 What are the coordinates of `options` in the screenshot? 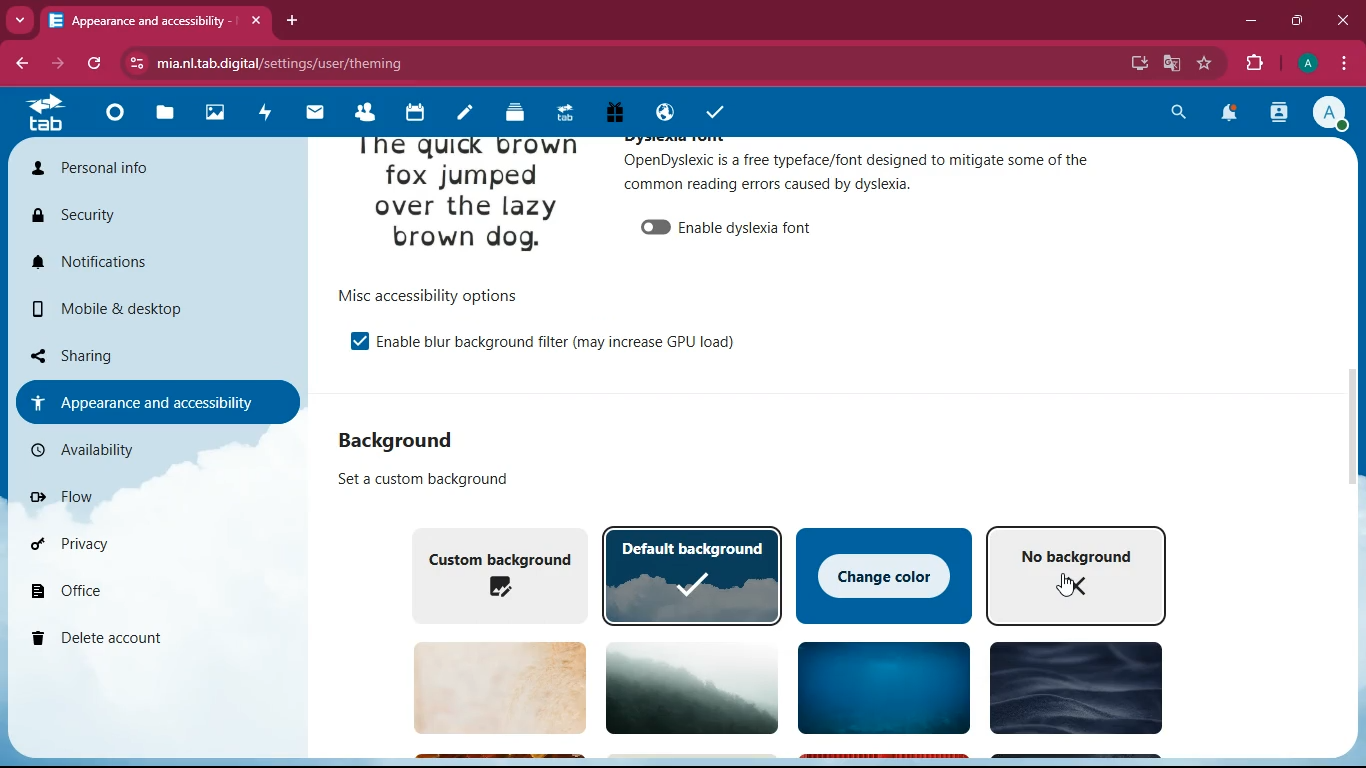 It's located at (426, 295).